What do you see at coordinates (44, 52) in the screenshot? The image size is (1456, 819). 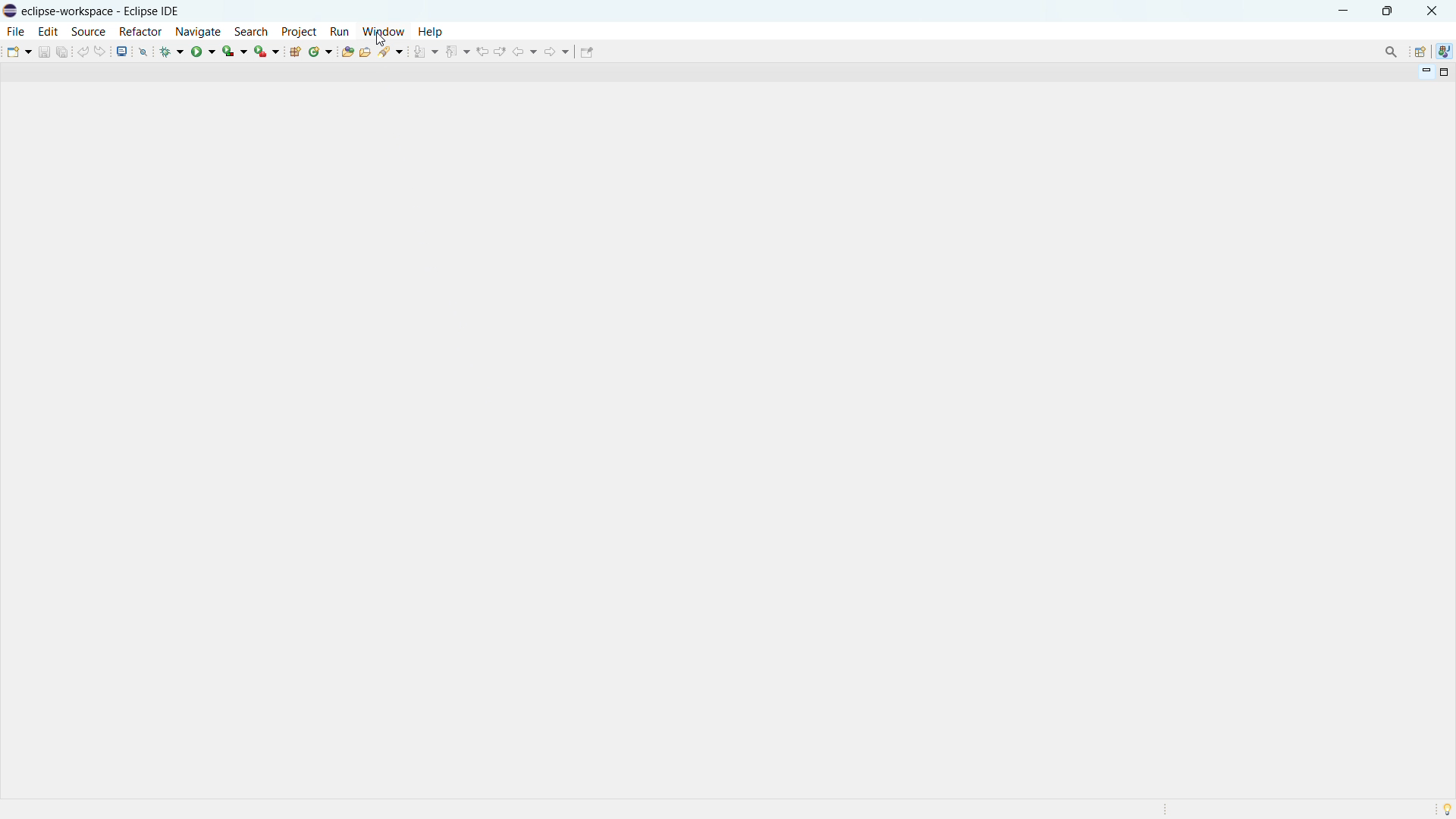 I see `save` at bounding box center [44, 52].